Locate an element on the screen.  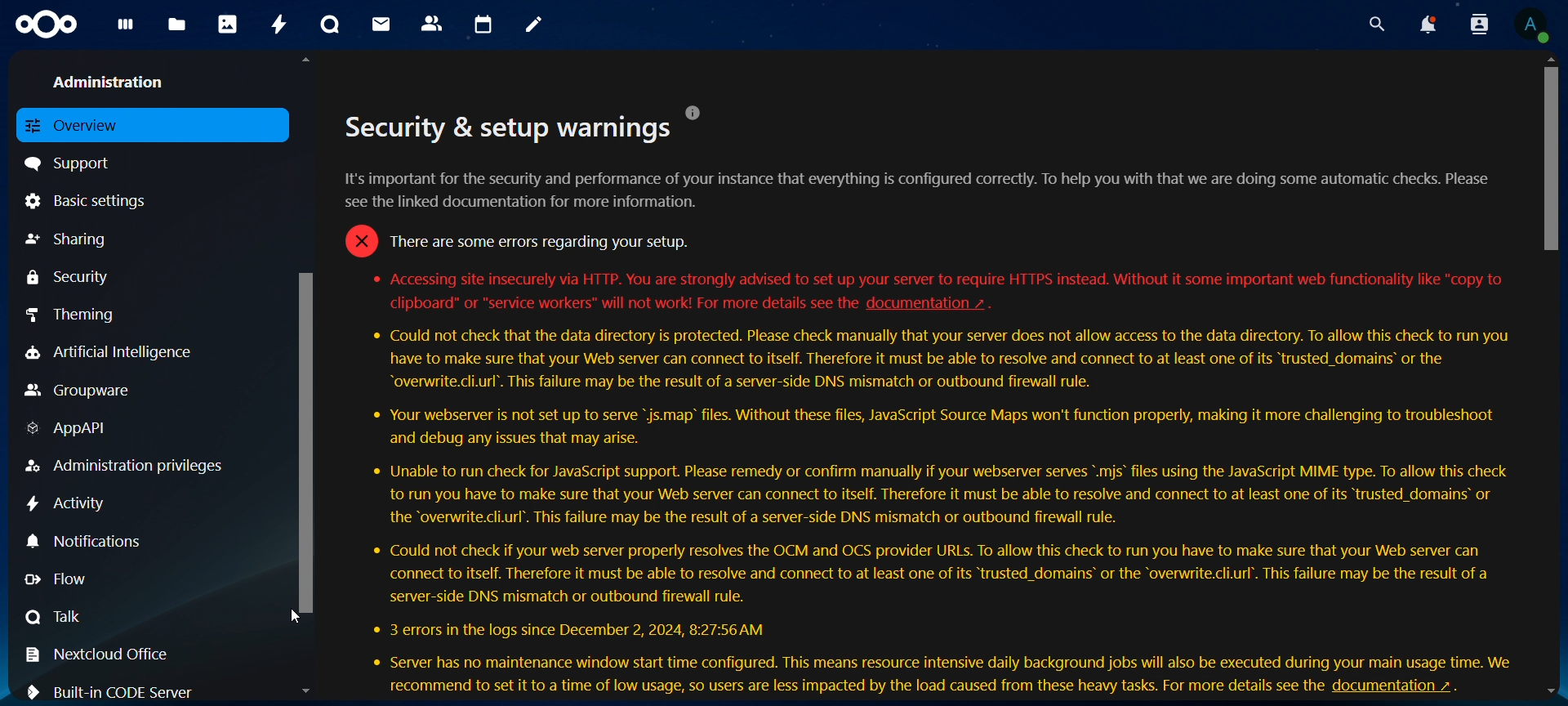
talk is located at coordinates (330, 25).